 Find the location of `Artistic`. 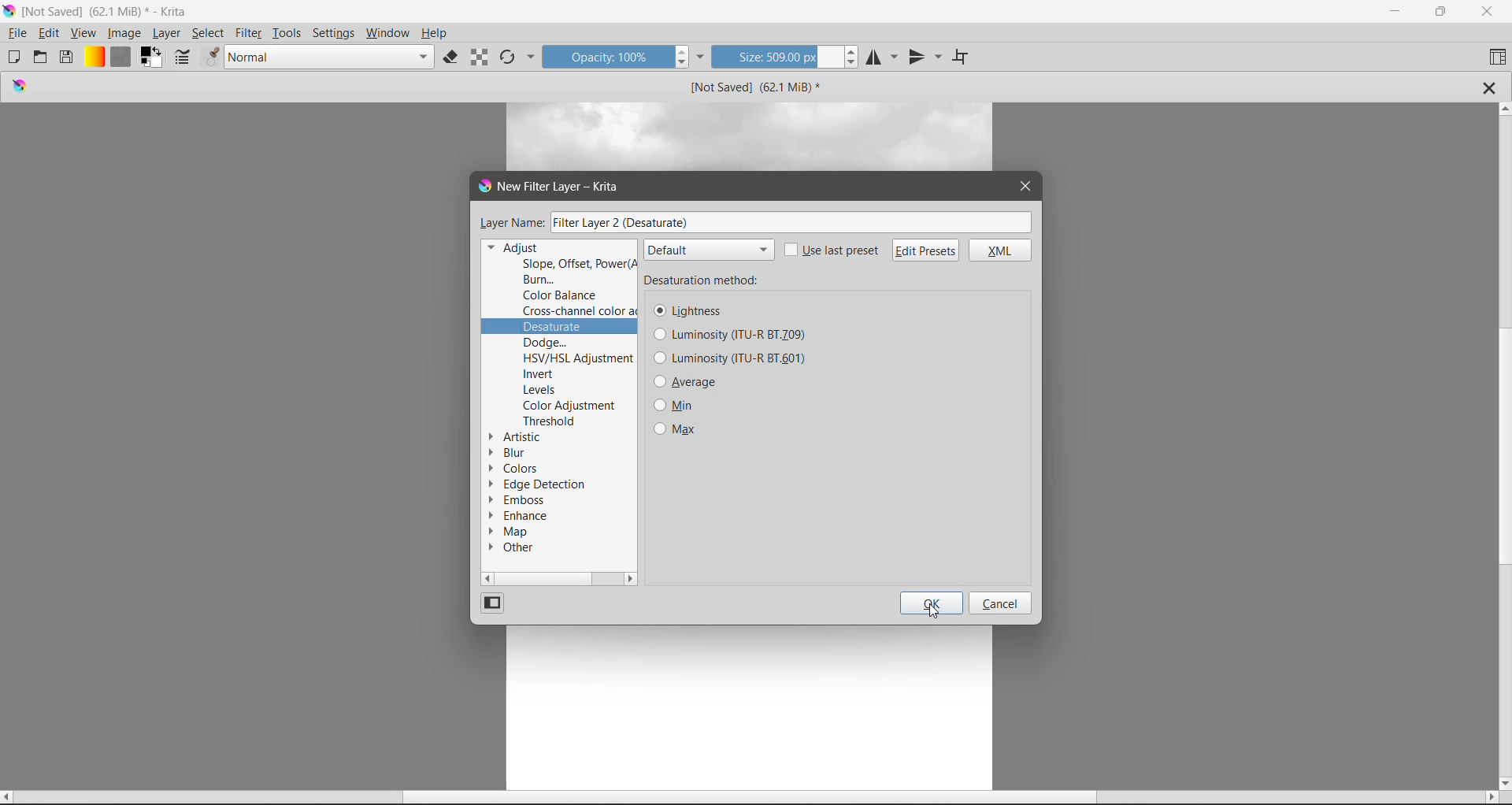

Artistic is located at coordinates (517, 437).